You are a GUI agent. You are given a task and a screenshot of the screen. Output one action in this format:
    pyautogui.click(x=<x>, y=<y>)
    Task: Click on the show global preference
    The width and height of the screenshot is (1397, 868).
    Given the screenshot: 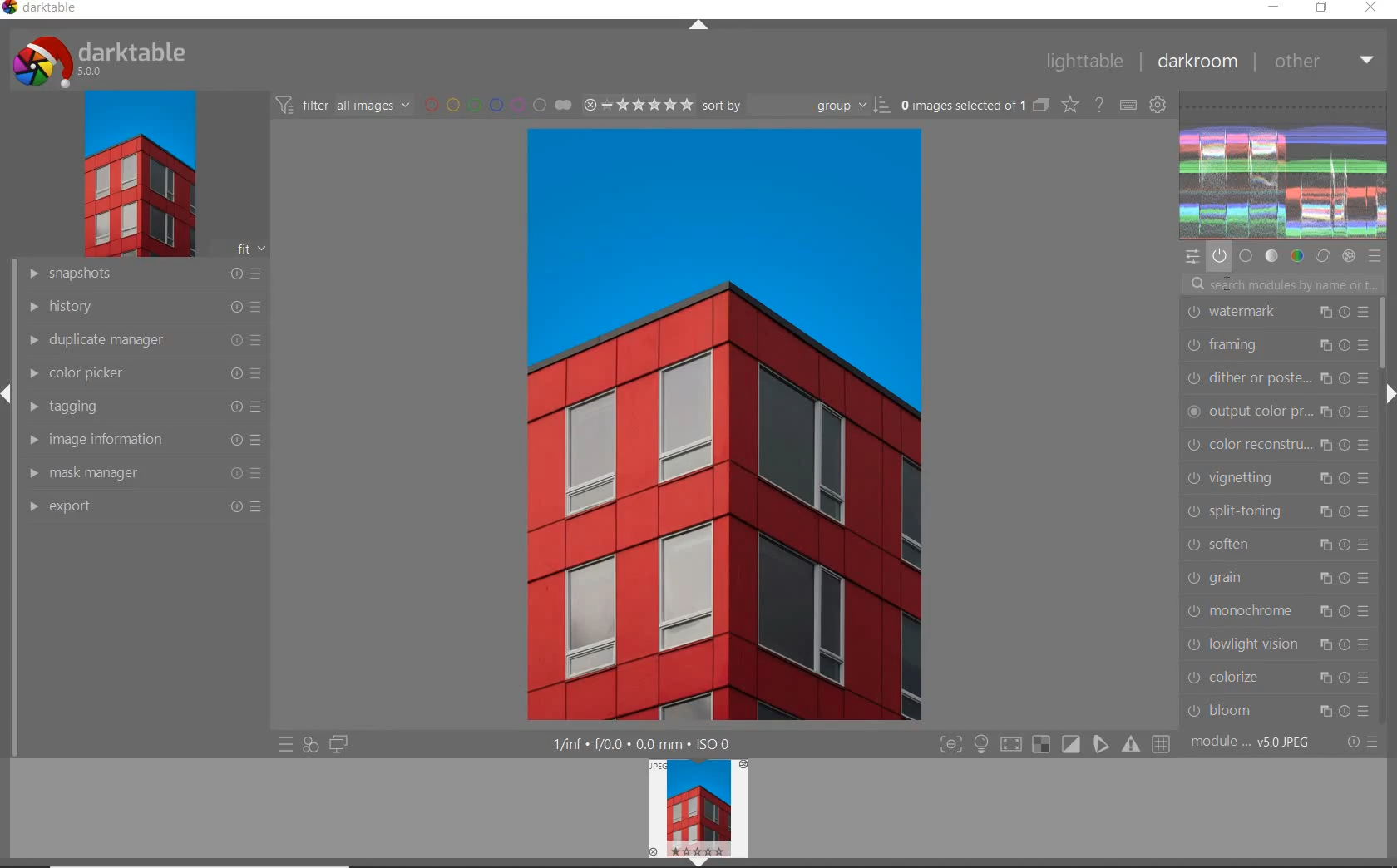 What is the action you would take?
    pyautogui.click(x=1158, y=106)
    